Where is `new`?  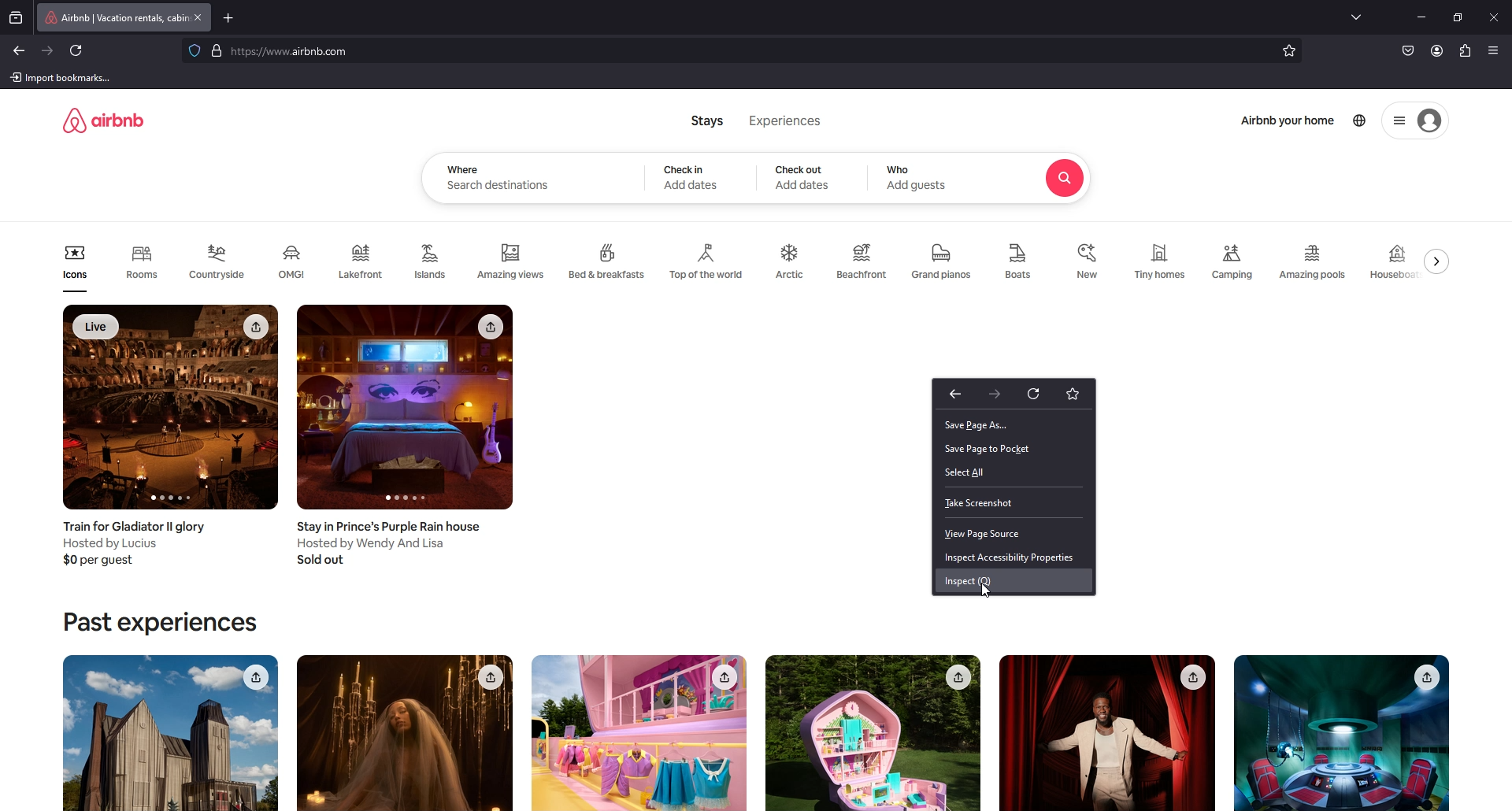
new is located at coordinates (1089, 261).